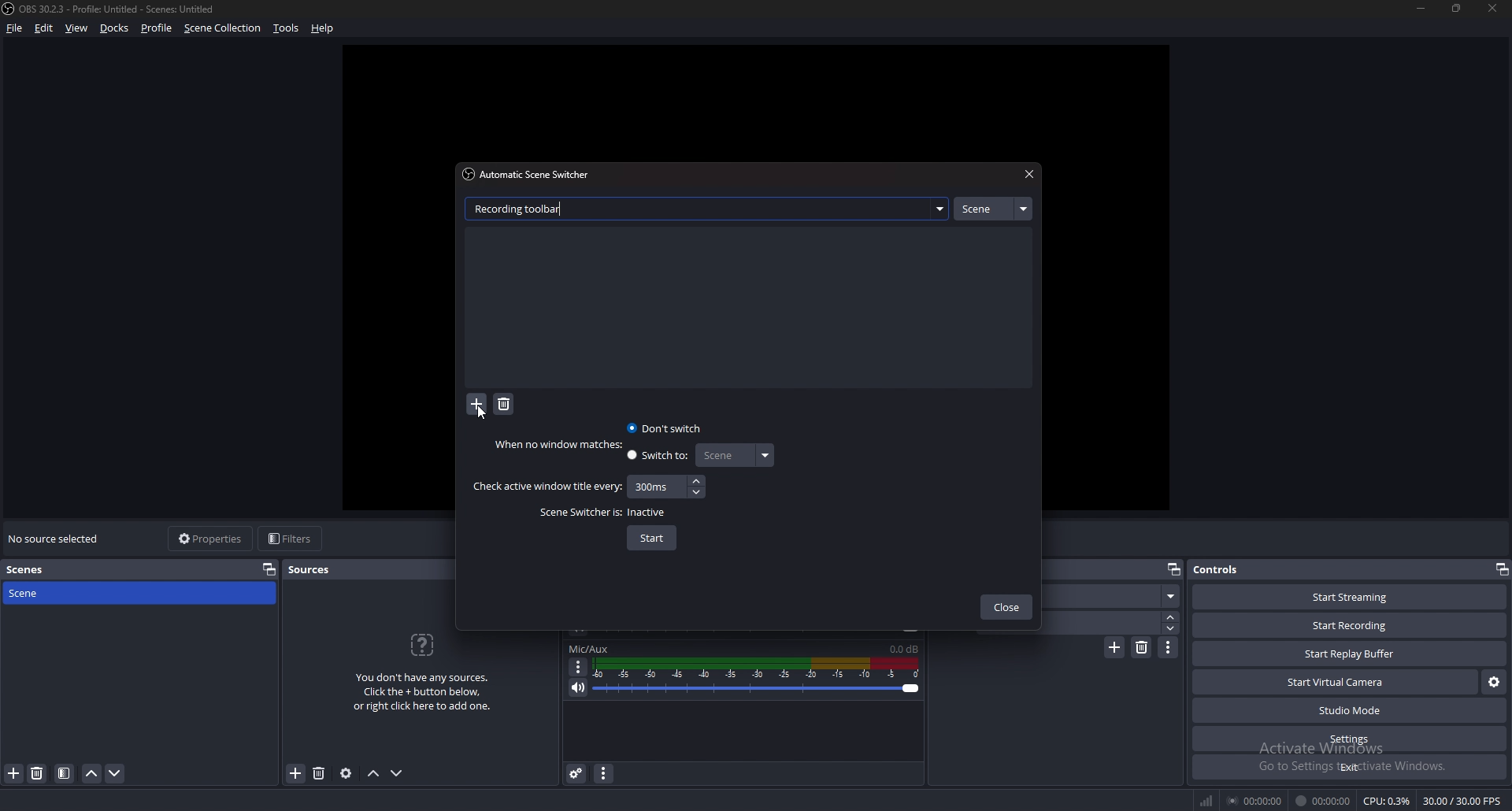 The image size is (1512, 811). Describe the element at coordinates (16, 28) in the screenshot. I see `file` at that location.